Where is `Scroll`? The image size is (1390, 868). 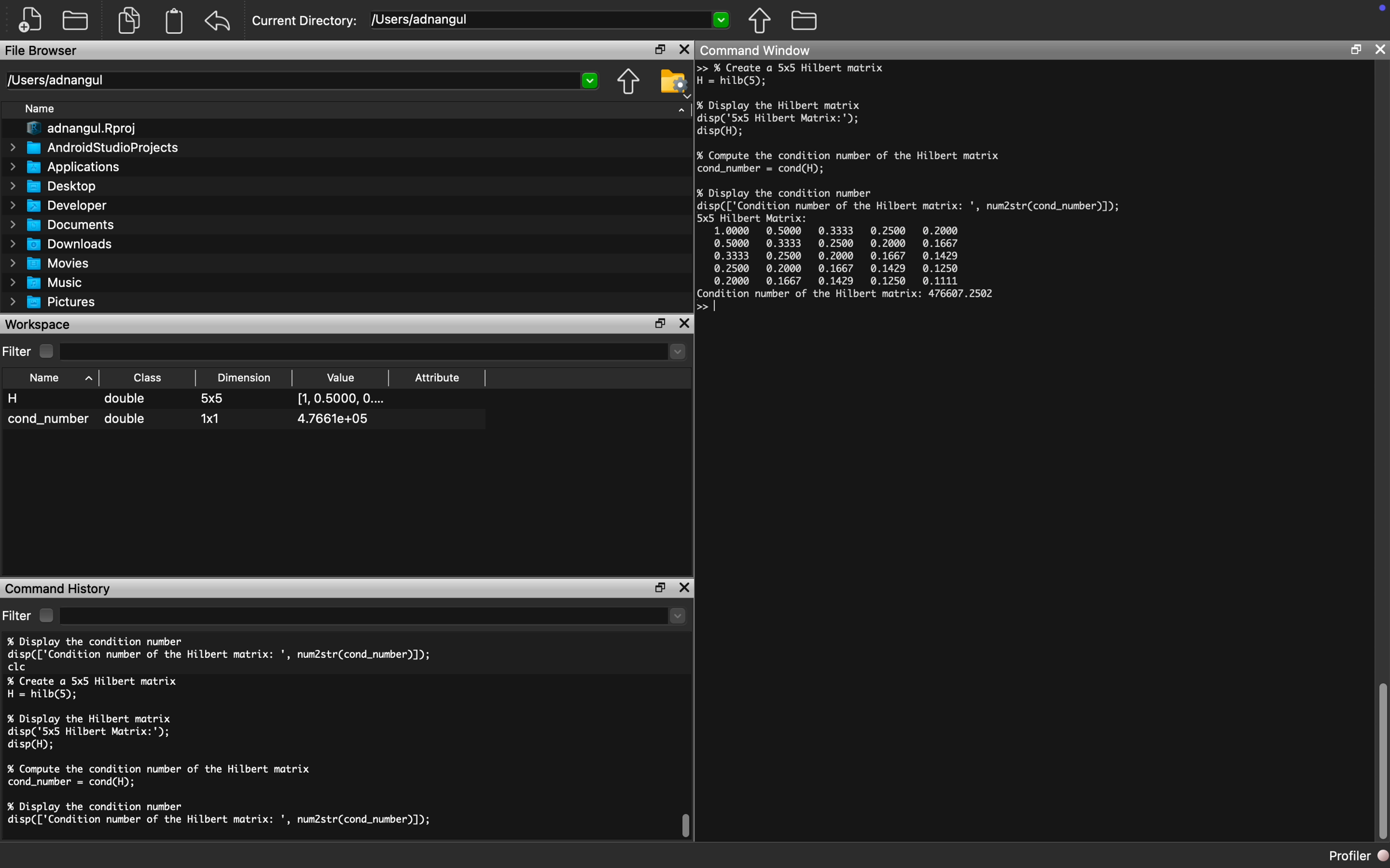 Scroll is located at coordinates (1381, 761).